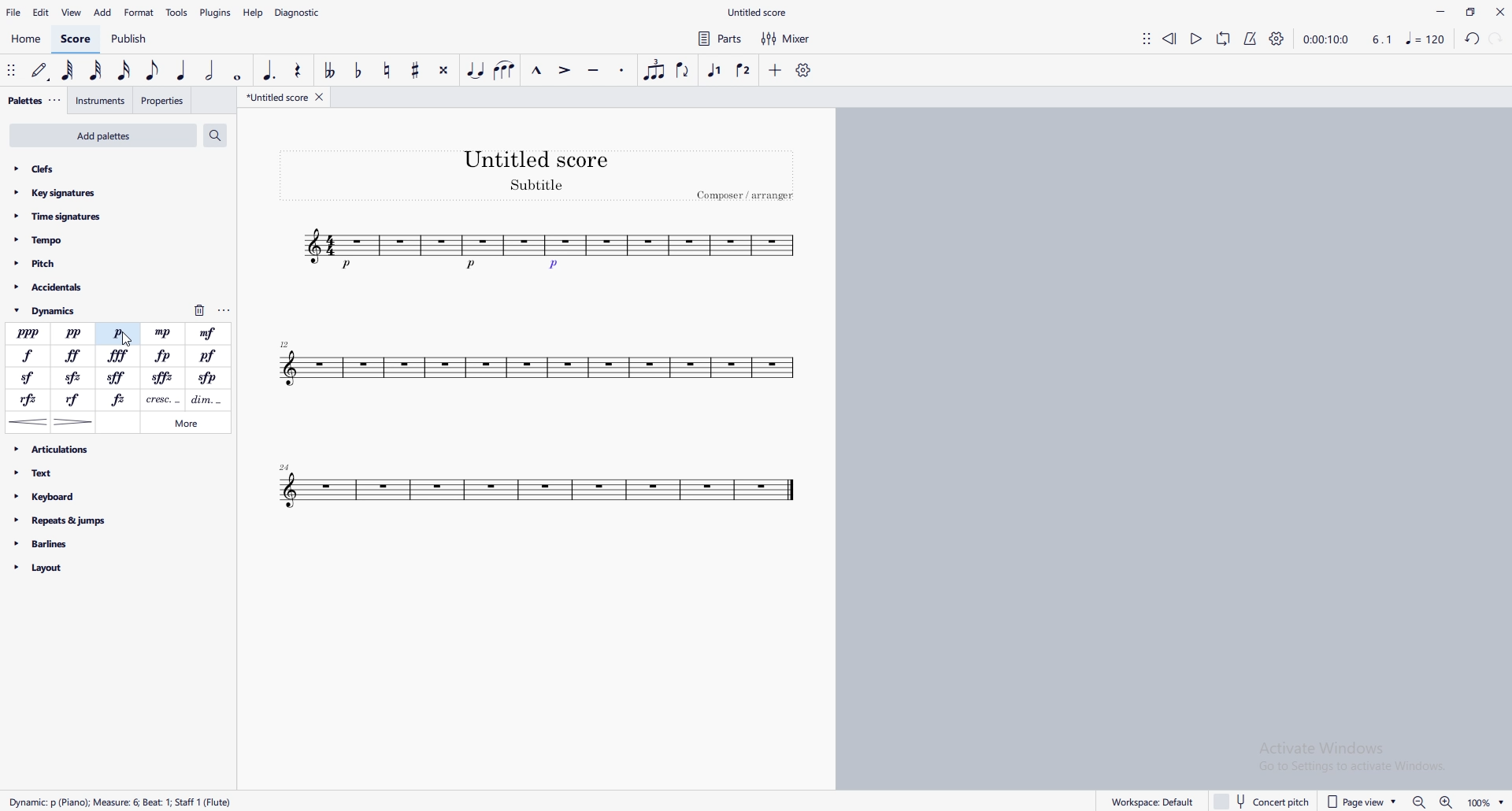 The image size is (1512, 811). What do you see at coordinates (25, 101) in the screenshot?
I see `palettes` at bounding box center [25, 101].